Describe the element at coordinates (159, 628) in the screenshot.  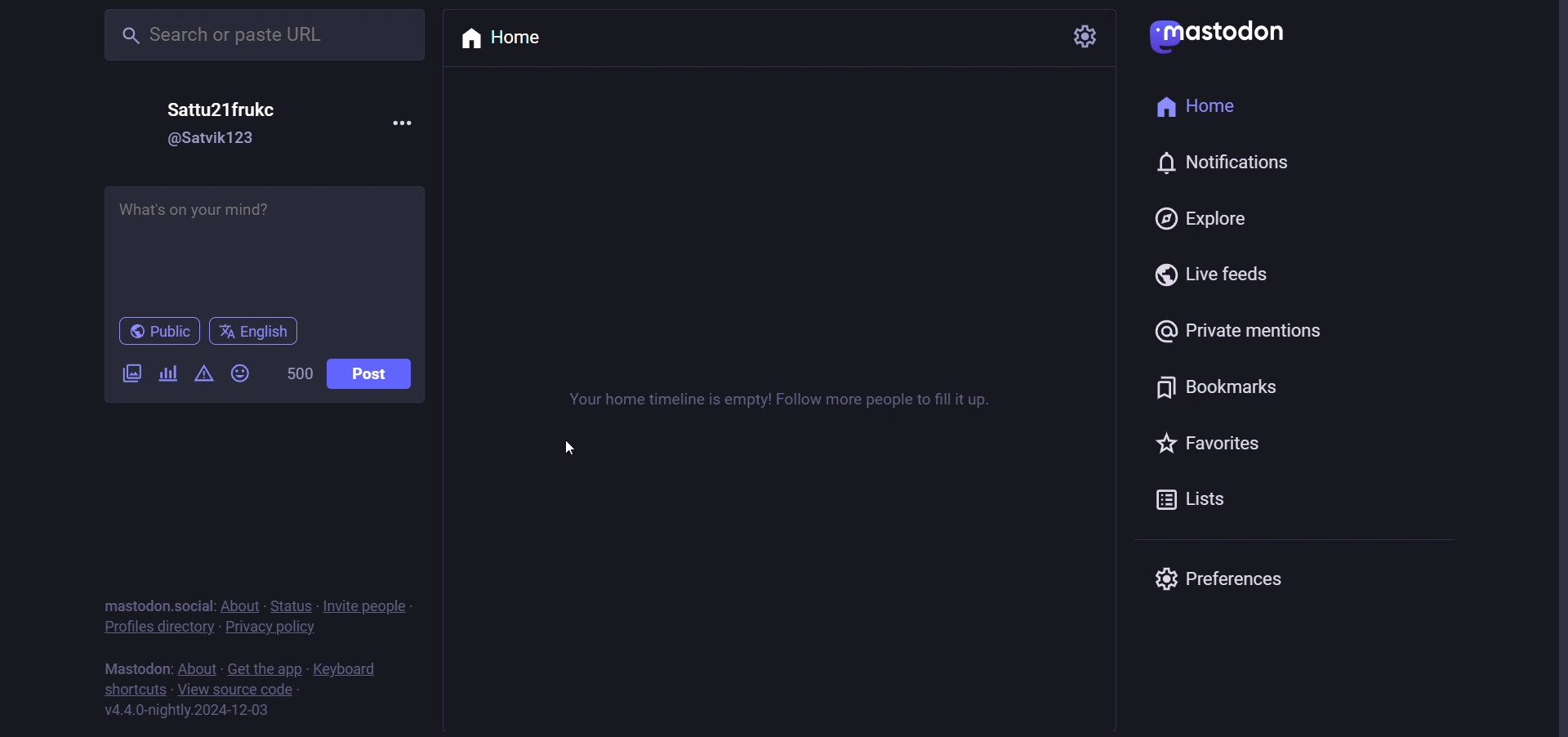
I see `profiles` at that location.